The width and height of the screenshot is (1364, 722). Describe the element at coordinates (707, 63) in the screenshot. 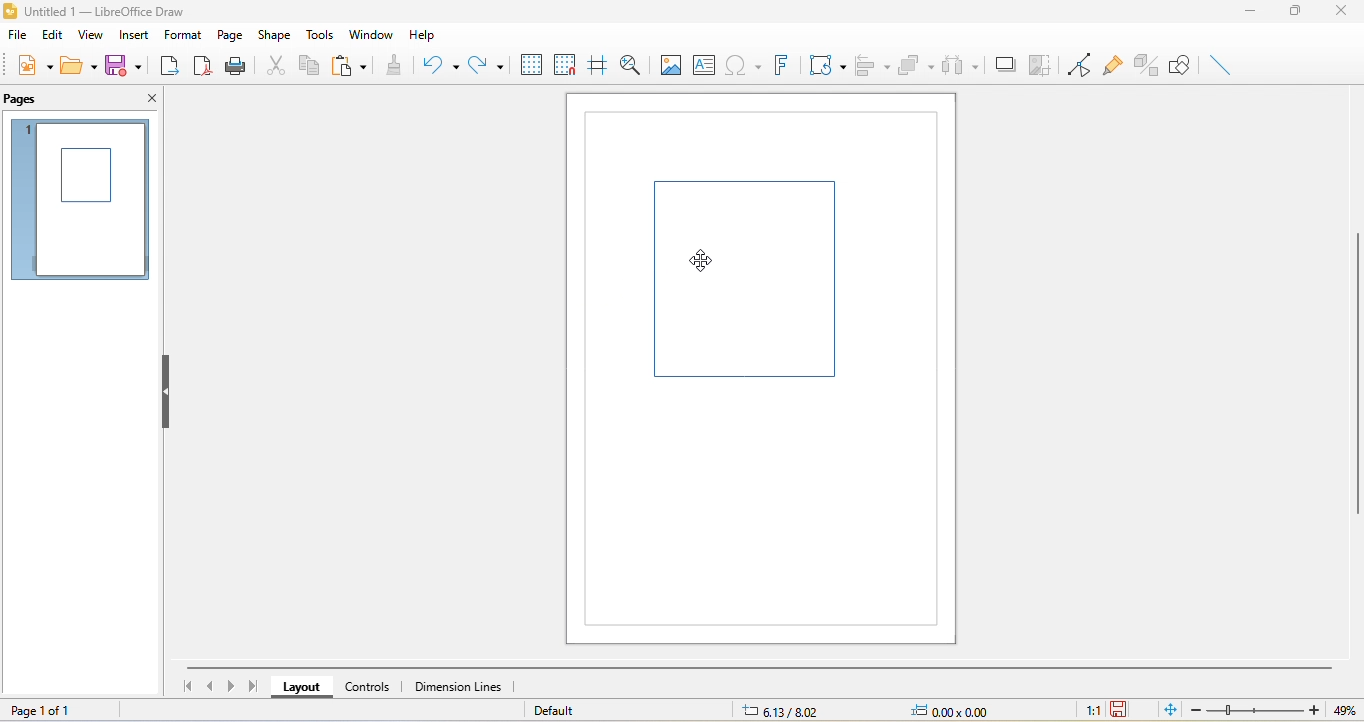

I see `text box` at that location.